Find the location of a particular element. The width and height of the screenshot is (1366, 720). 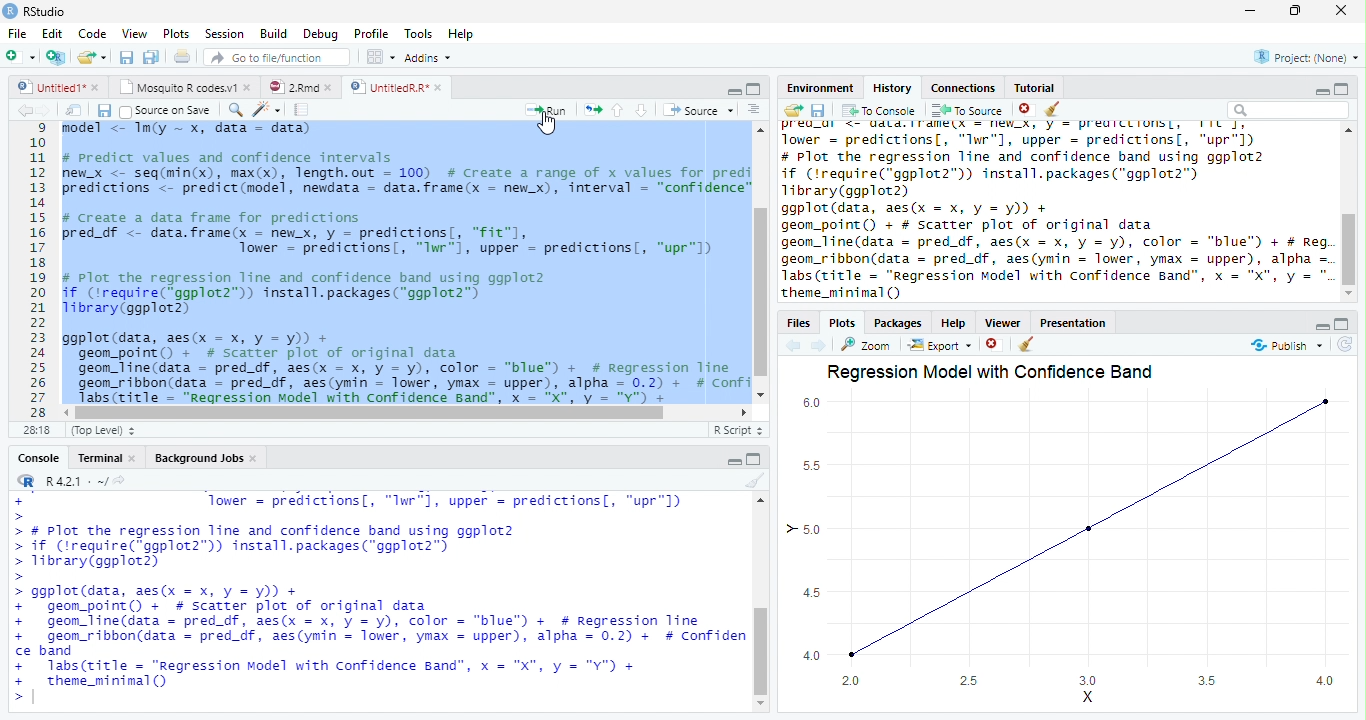

Scrollbar is located at coordinates (1349, 215).